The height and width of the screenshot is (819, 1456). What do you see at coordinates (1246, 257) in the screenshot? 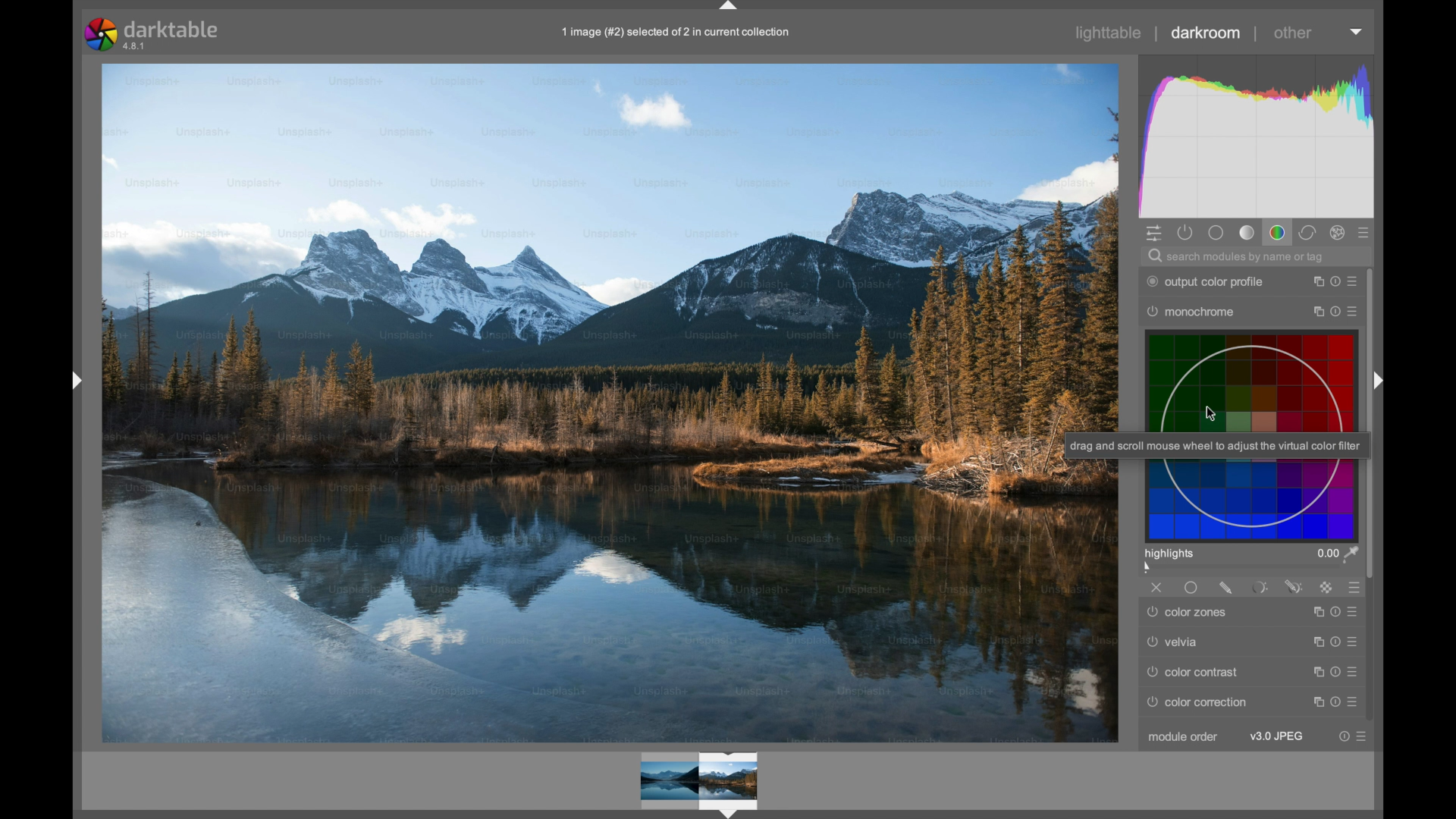
I see `search for modules by name or tag` at bounding box center [1246, 257].